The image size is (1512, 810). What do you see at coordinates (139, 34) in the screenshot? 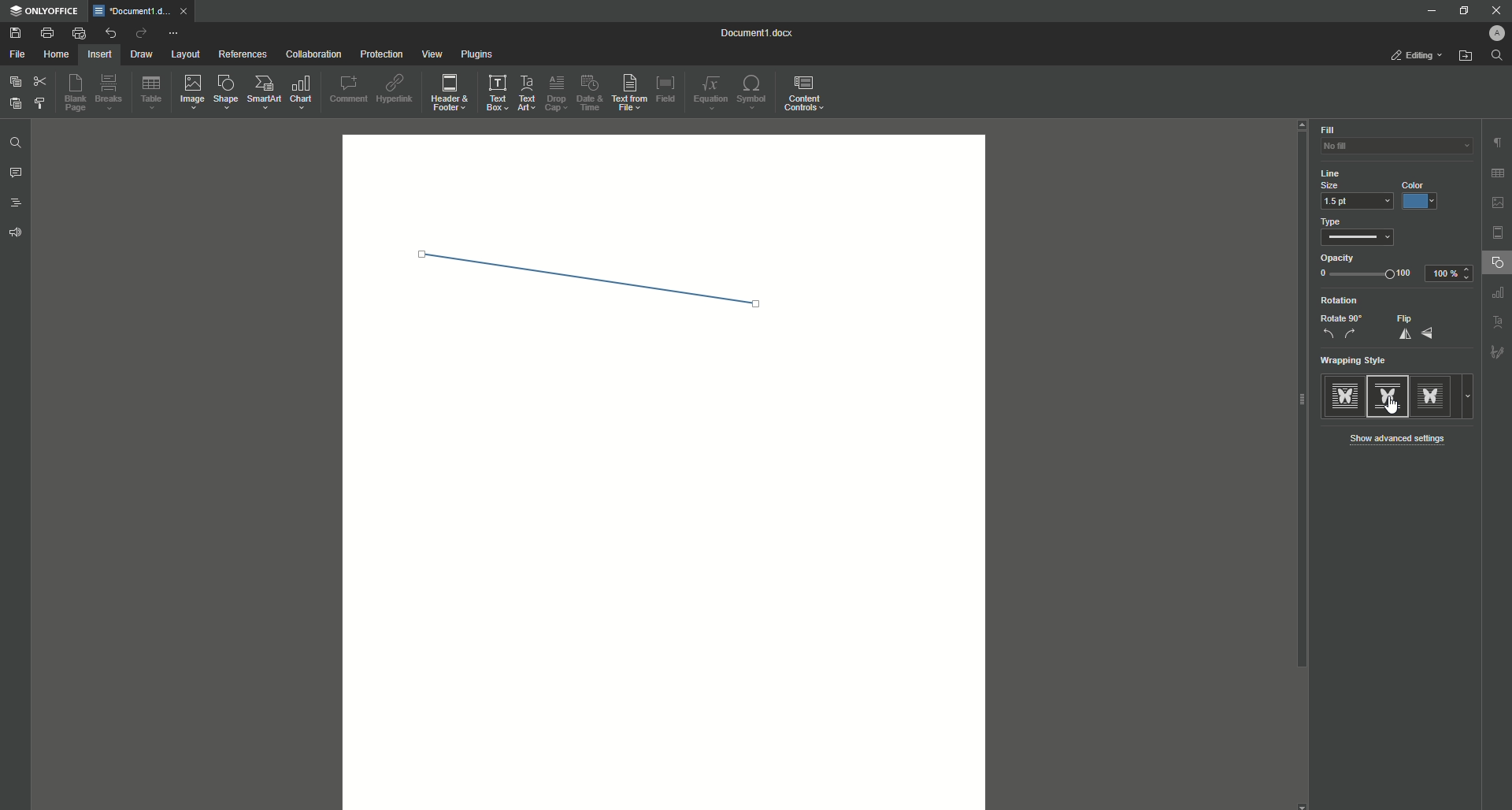
I see `Redo` at bounding box center [139, 34].